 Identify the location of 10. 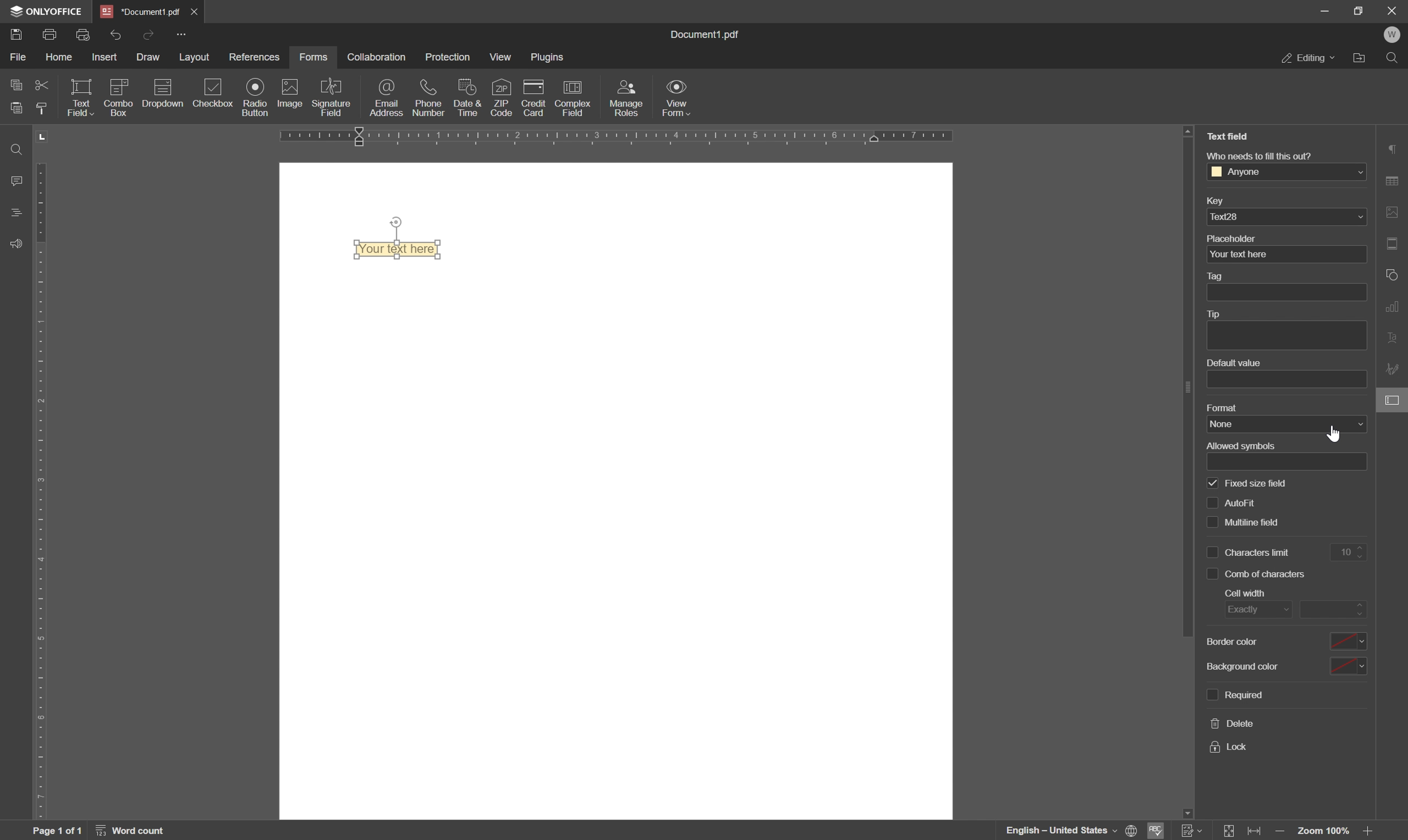
(1351, 552).